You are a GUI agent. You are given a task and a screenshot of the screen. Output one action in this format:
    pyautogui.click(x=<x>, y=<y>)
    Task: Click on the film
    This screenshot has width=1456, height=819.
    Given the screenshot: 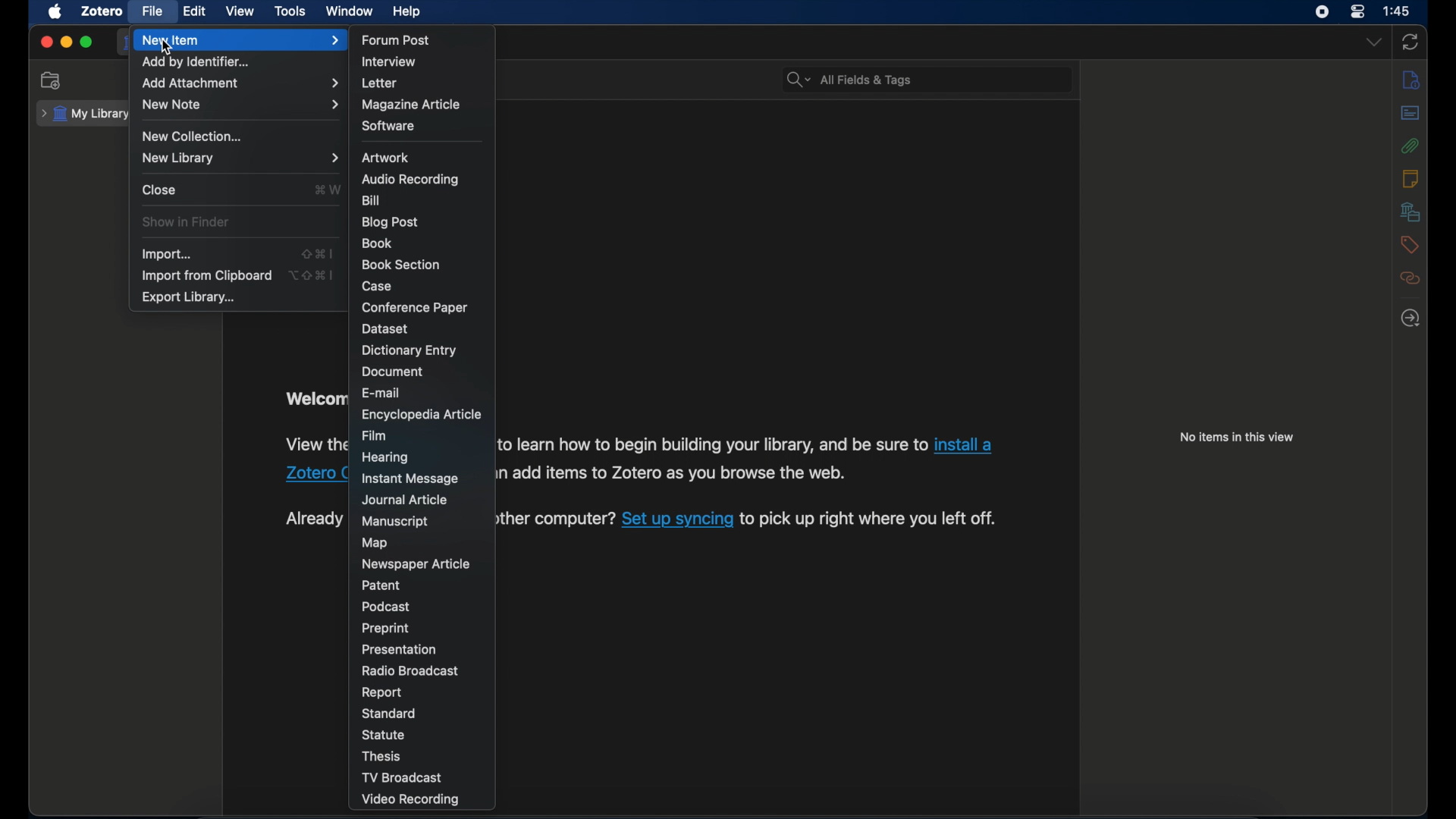 What is the action you would take?
    pyautogui.click(x=375, y=435)
    